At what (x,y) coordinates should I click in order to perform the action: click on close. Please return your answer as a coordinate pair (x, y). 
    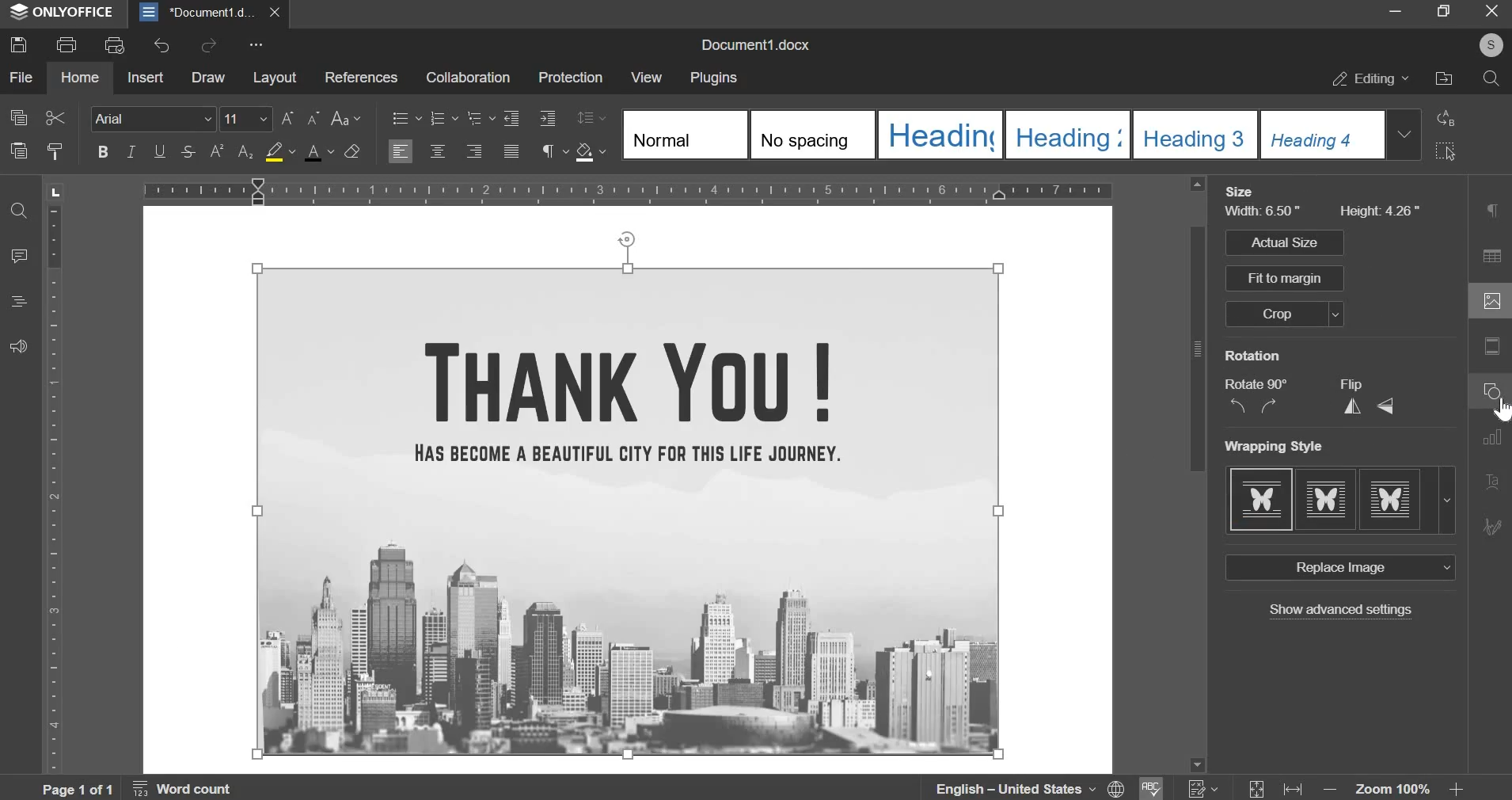
    Looking at the image, I should click on (1488, 12).